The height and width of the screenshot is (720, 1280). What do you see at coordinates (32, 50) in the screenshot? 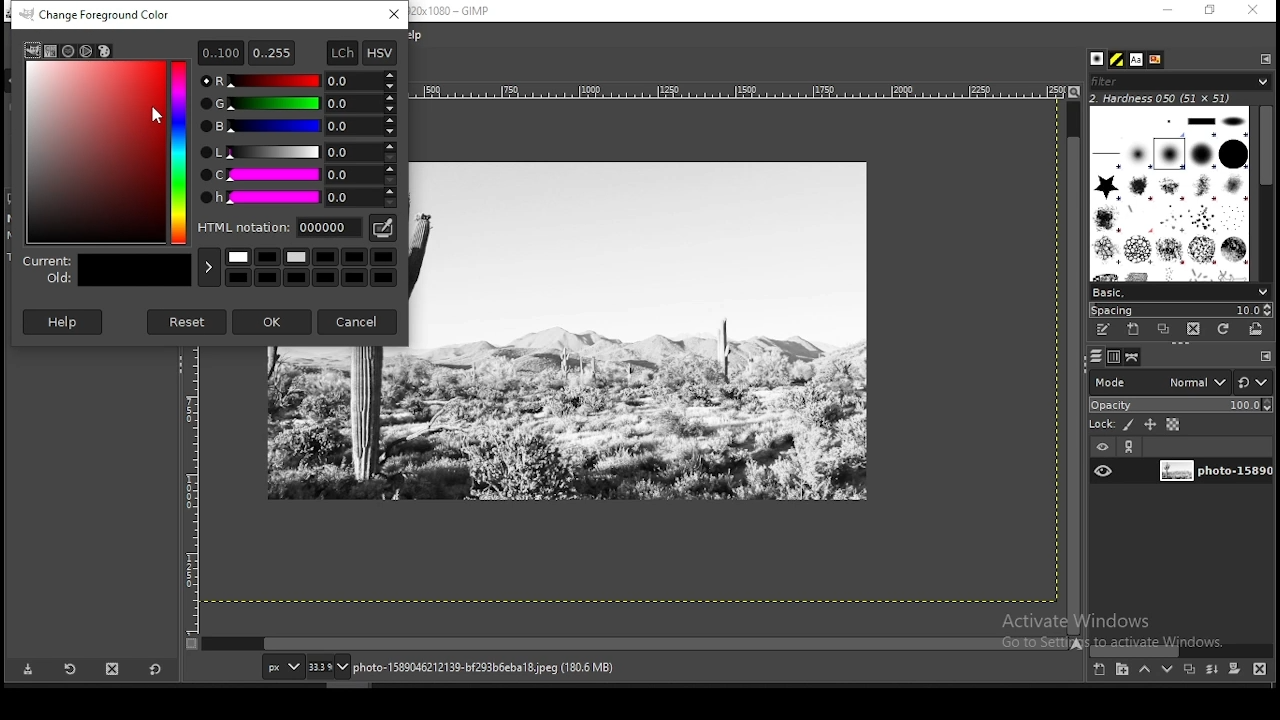
I see `gimp` at bounding box center [32, 50].